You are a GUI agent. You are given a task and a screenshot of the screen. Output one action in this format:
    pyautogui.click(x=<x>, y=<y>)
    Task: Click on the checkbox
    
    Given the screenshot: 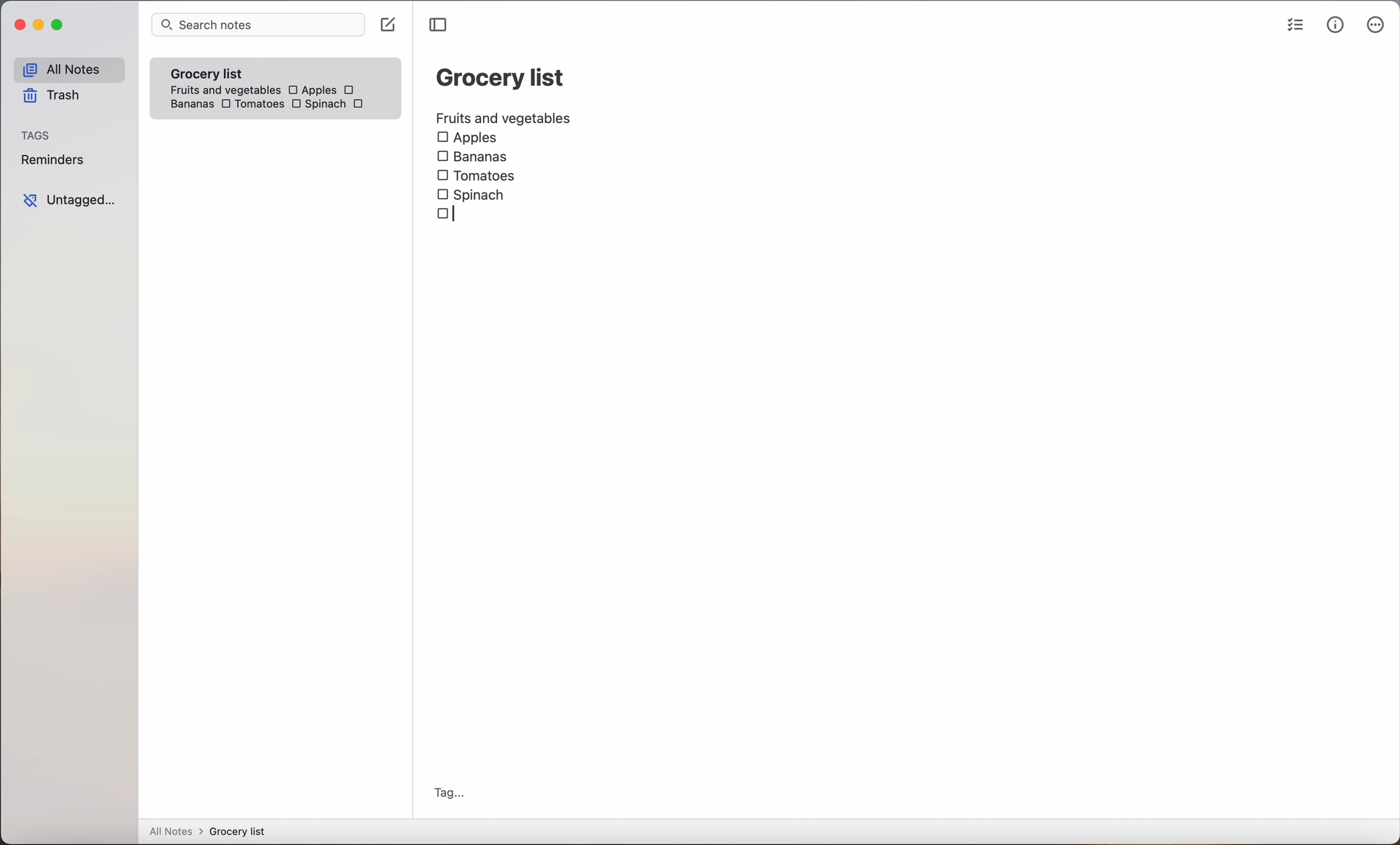 What is the action you would take?
    pyautogui.click(x=351, y=90)
    